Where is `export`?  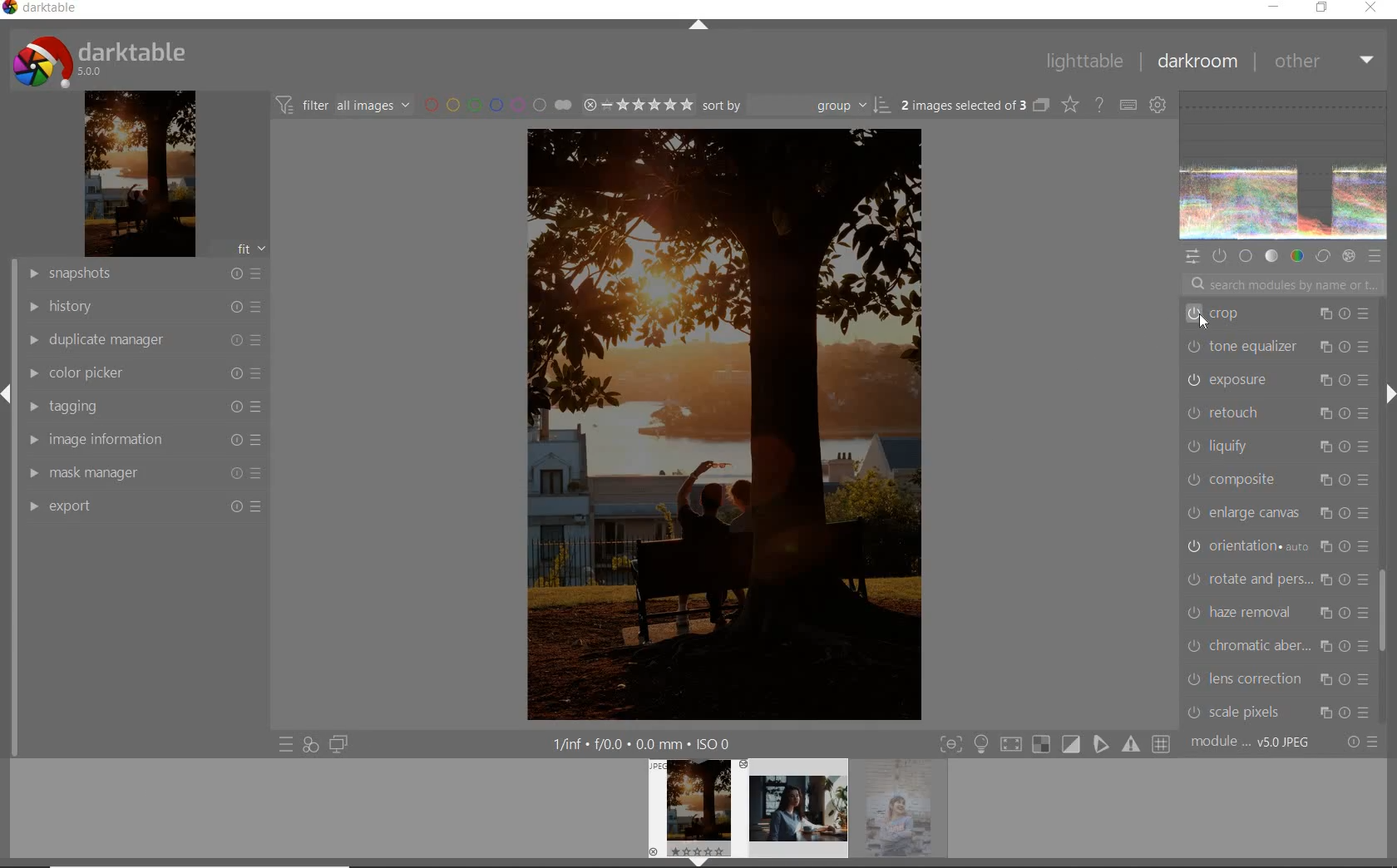 export is located at coordinates (143, 506).